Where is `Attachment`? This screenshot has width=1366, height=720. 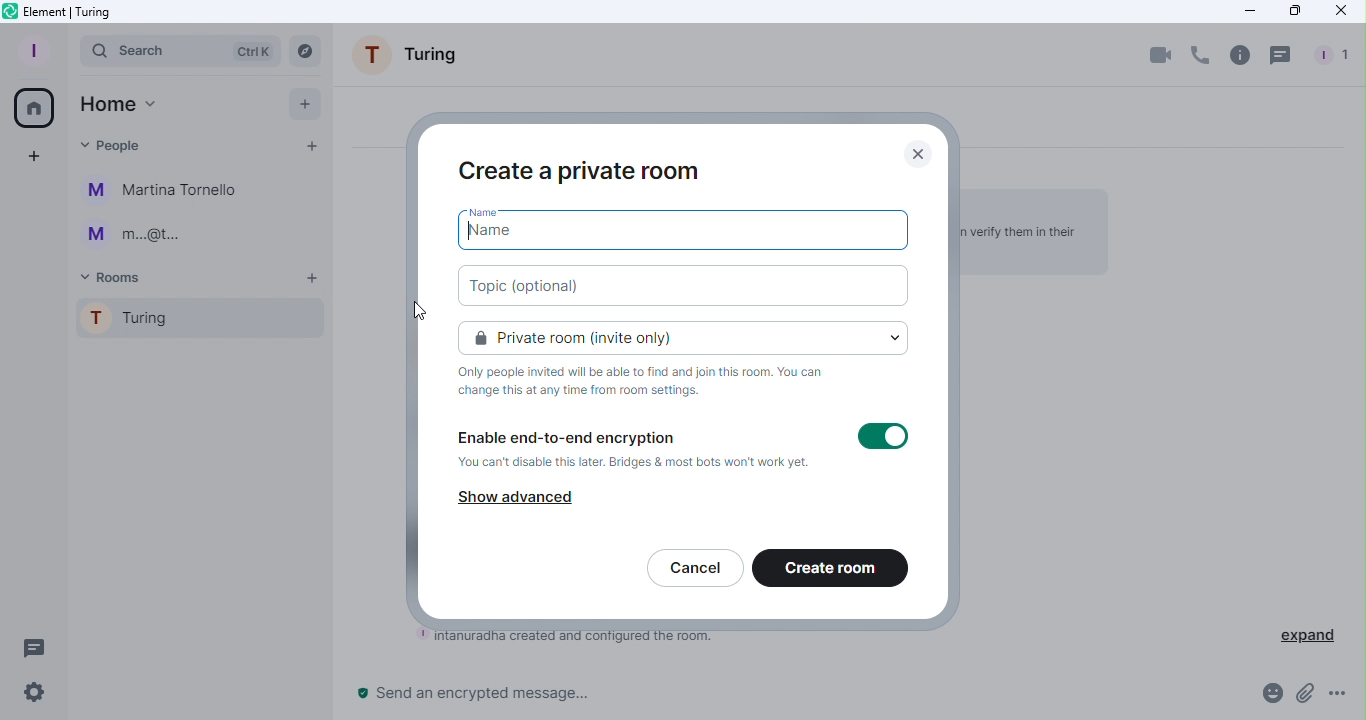 Attachment is located at coordinates (1304, 699).